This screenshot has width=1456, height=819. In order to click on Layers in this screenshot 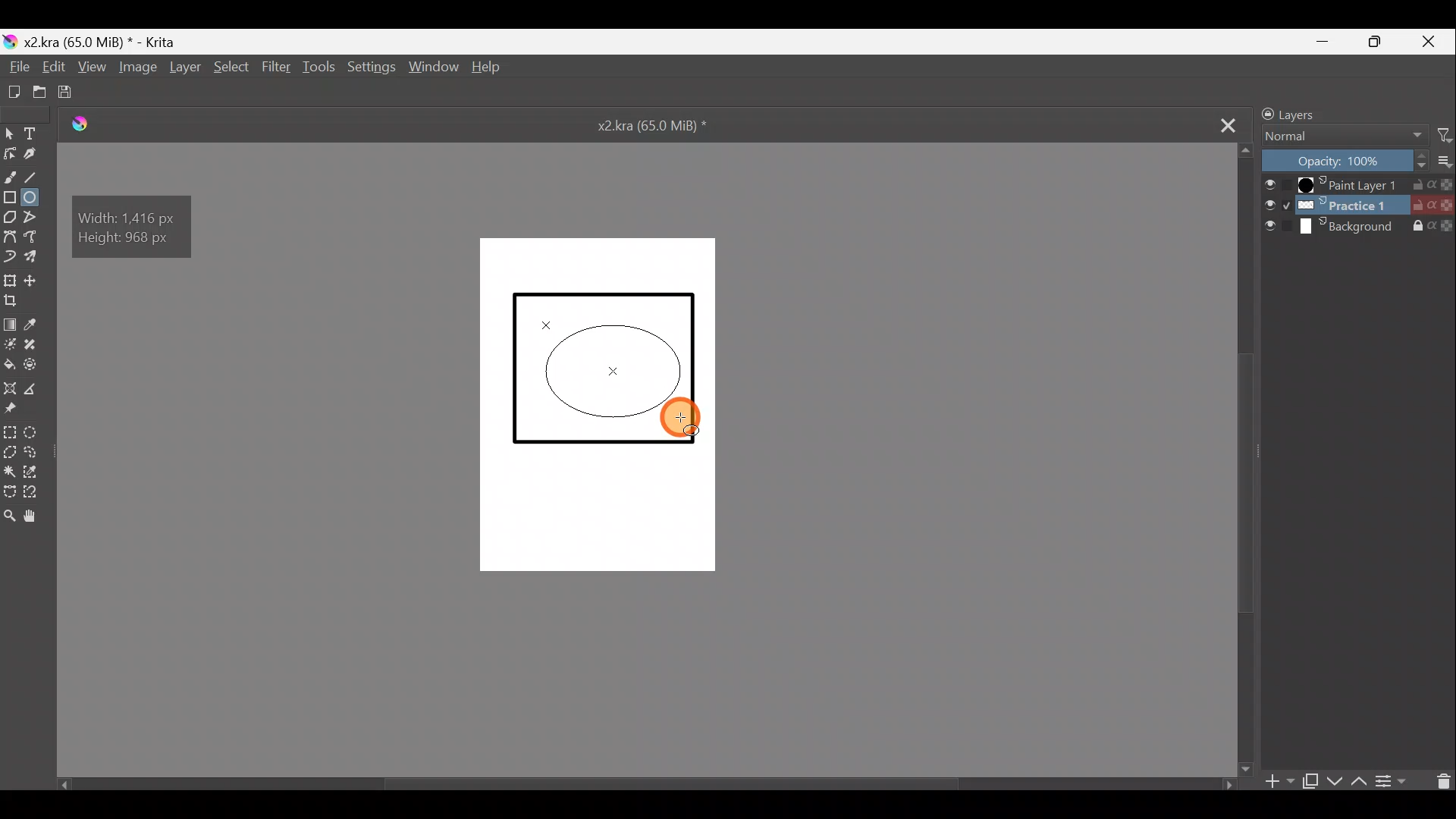, I will do `click(1304, 113)`.